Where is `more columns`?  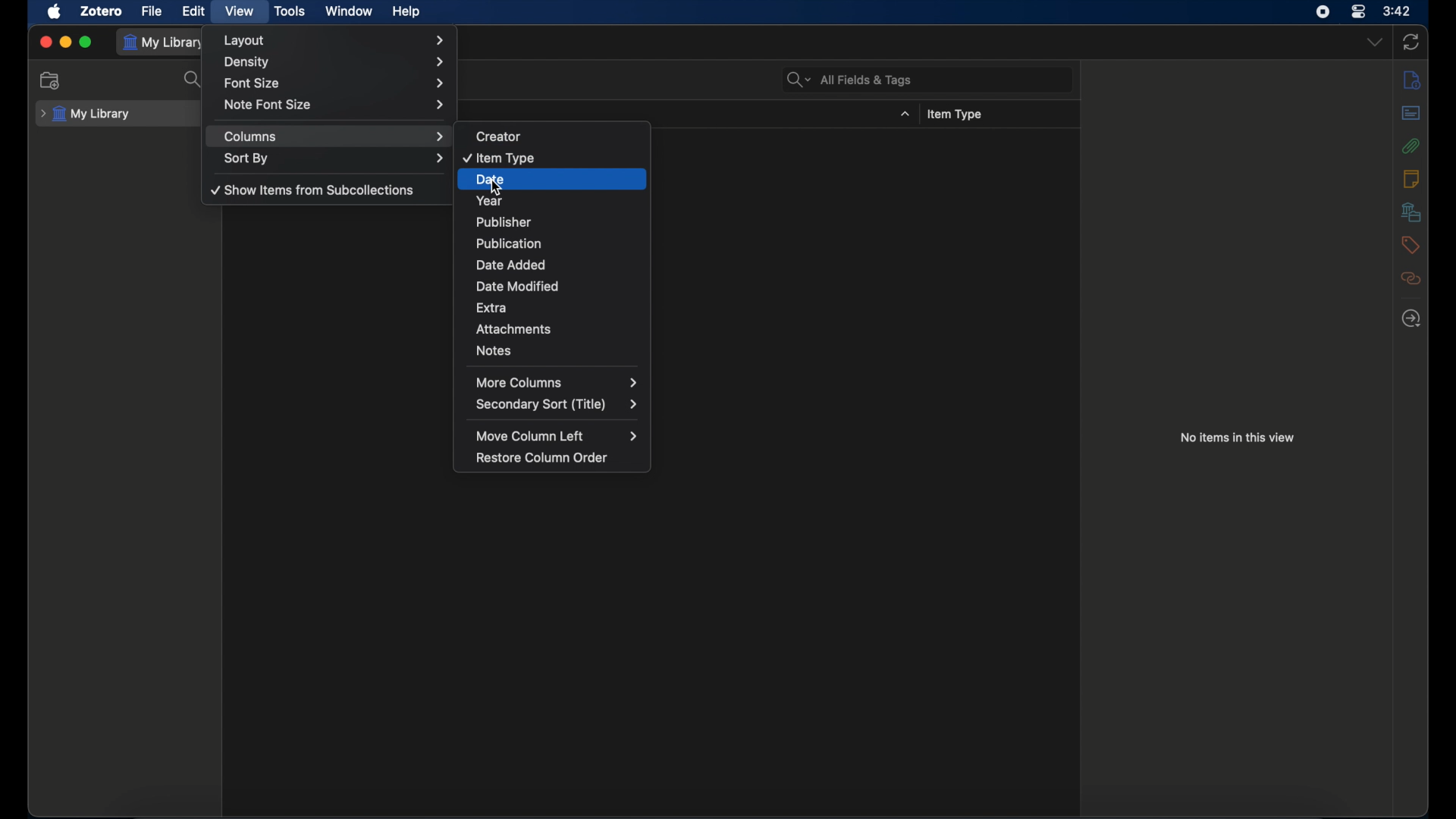
more columns is located at coordinates (559, 383).